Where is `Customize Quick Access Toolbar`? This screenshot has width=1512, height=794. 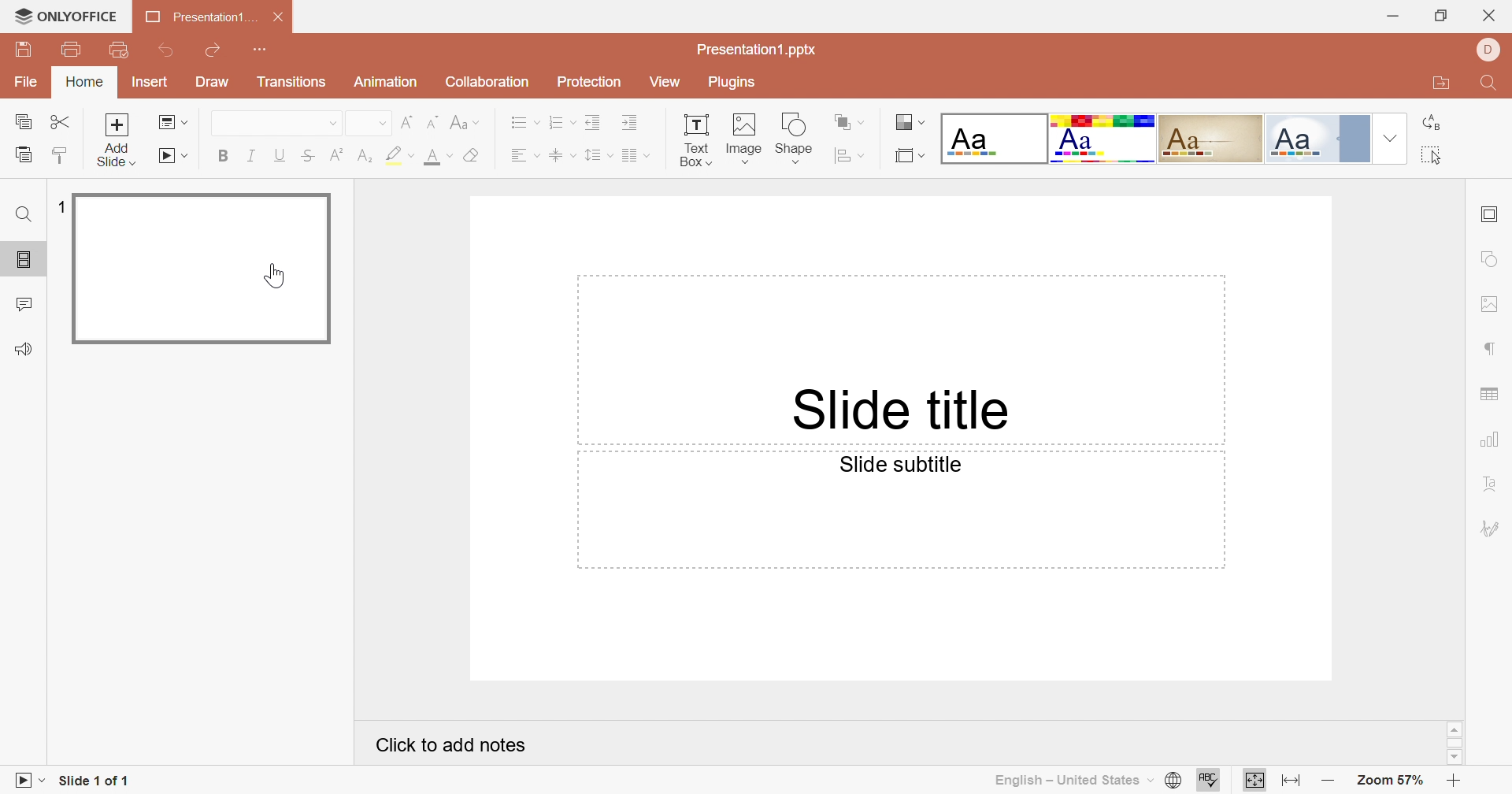
Customize Quick Access Toolbar is located at coordinates (259, 50).